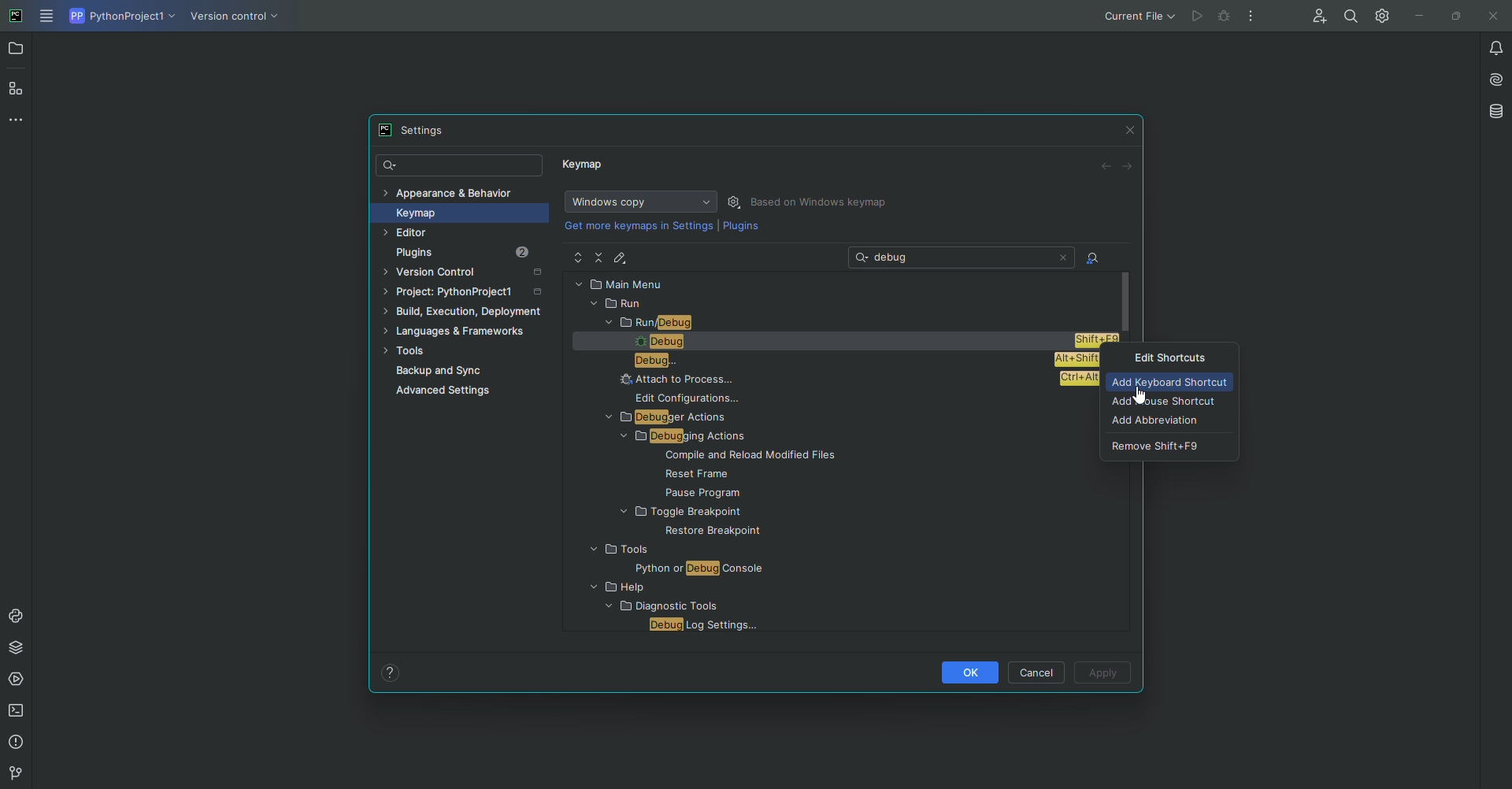  What do you see at coordinates (1491, 78) in the screenshot?
I see `AI` at bounding box center [1491, 78].